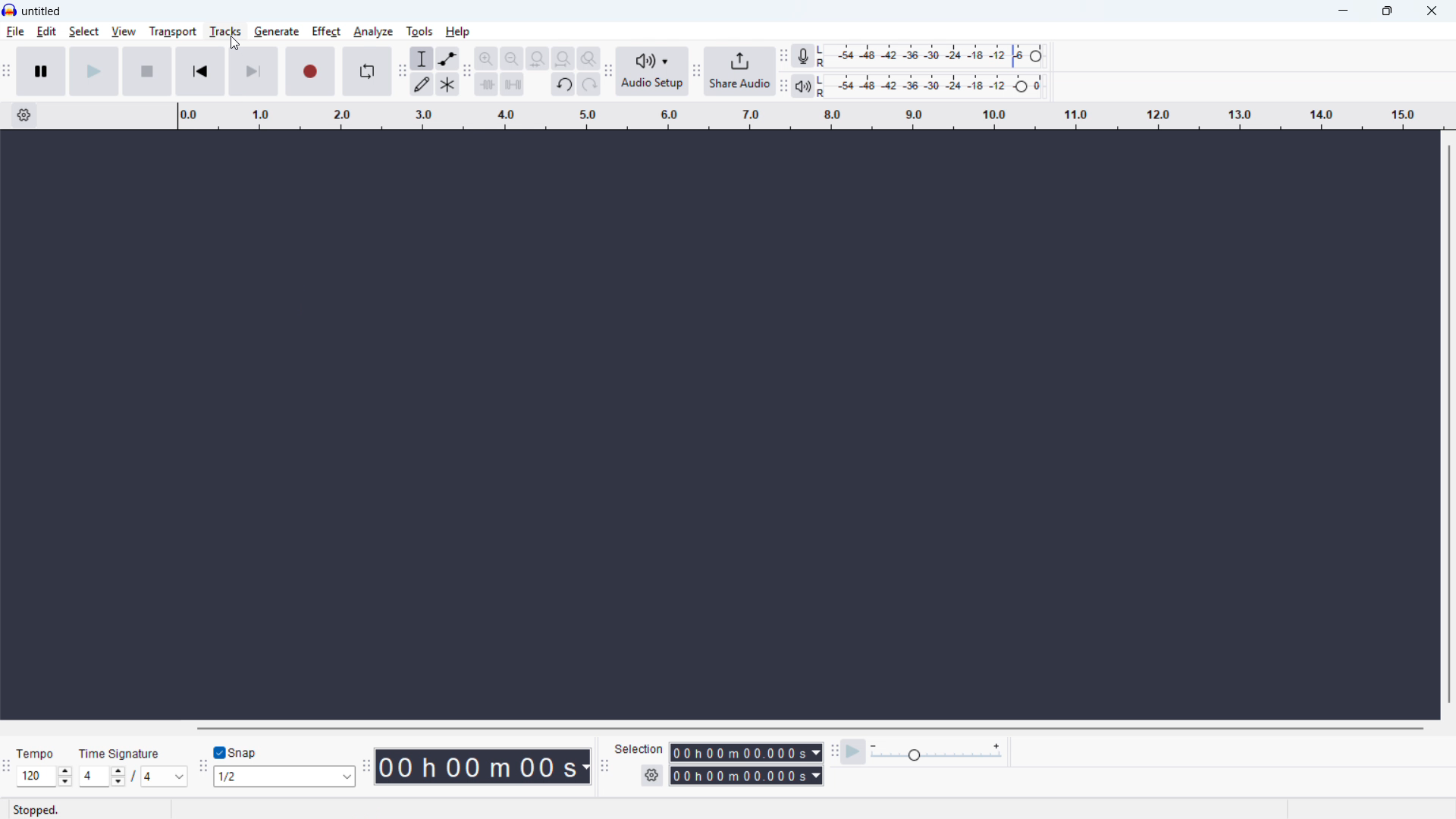 The image size is (1456, 819). Describe the element at coordinates (326, 31) in the screenshot. I see `Effect ` at that location.